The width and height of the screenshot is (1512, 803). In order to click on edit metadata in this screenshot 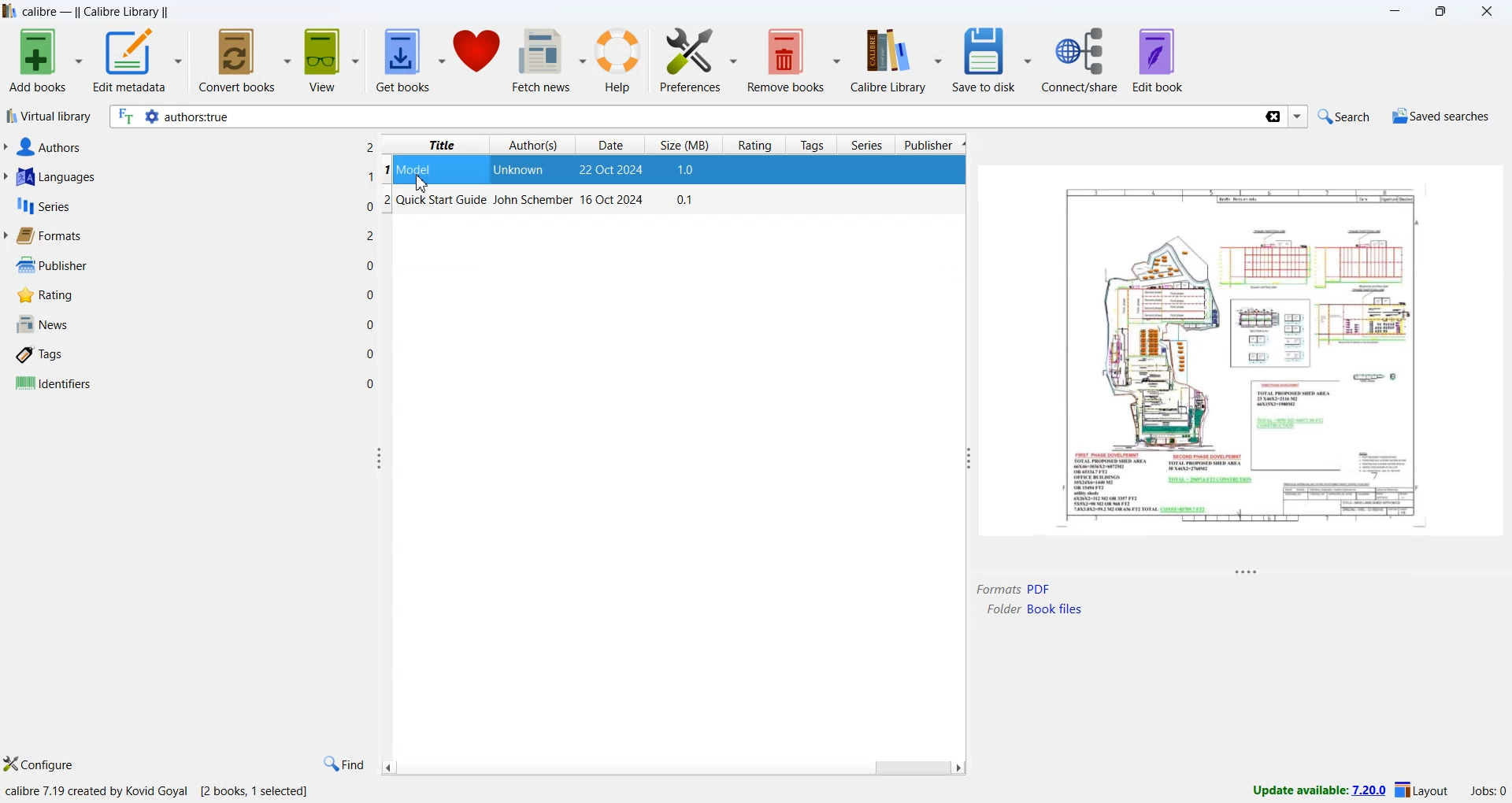, I will do `click(138, 62)`.